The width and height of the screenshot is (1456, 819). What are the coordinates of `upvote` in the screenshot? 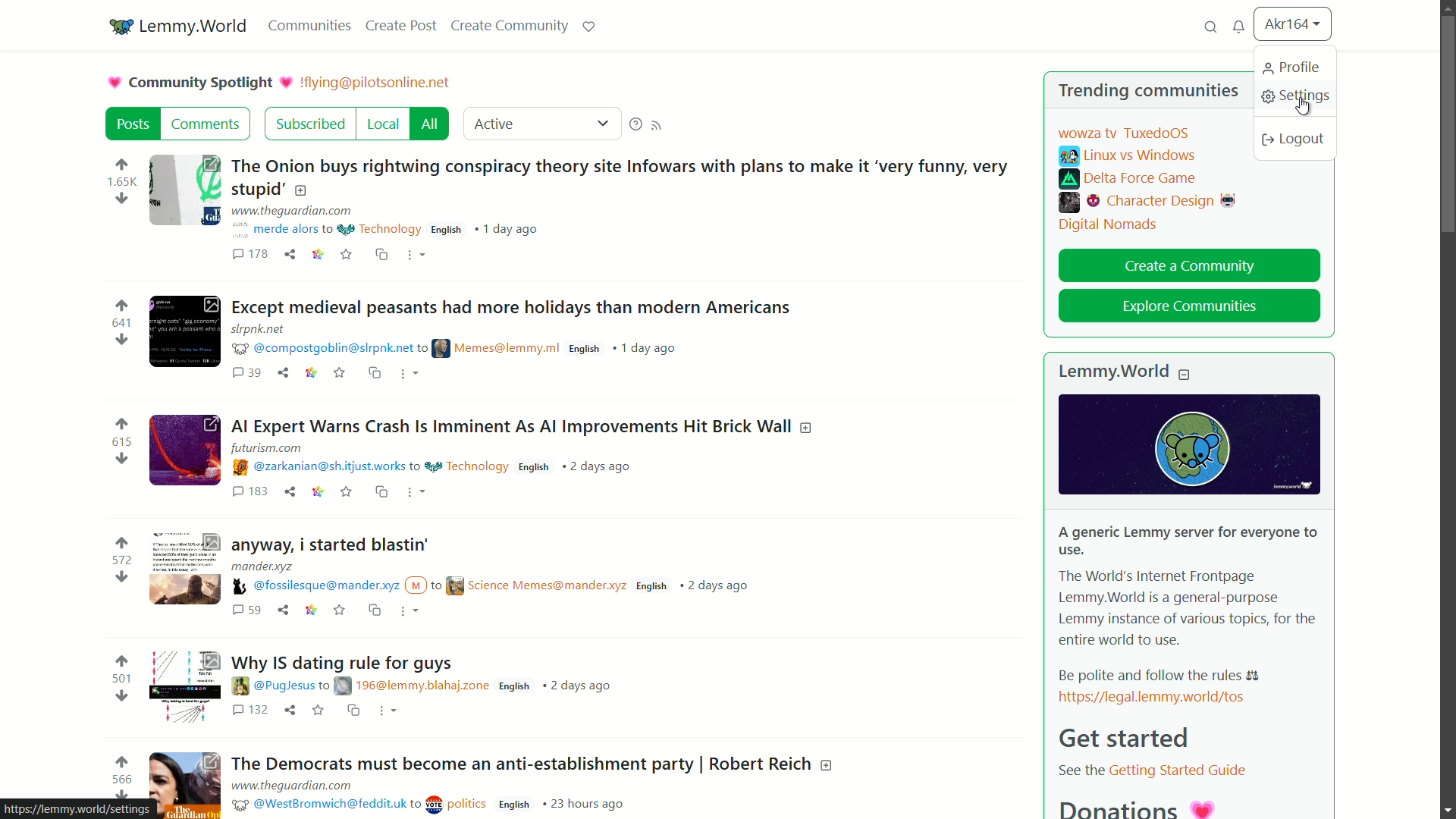 It's located at (124, 424).